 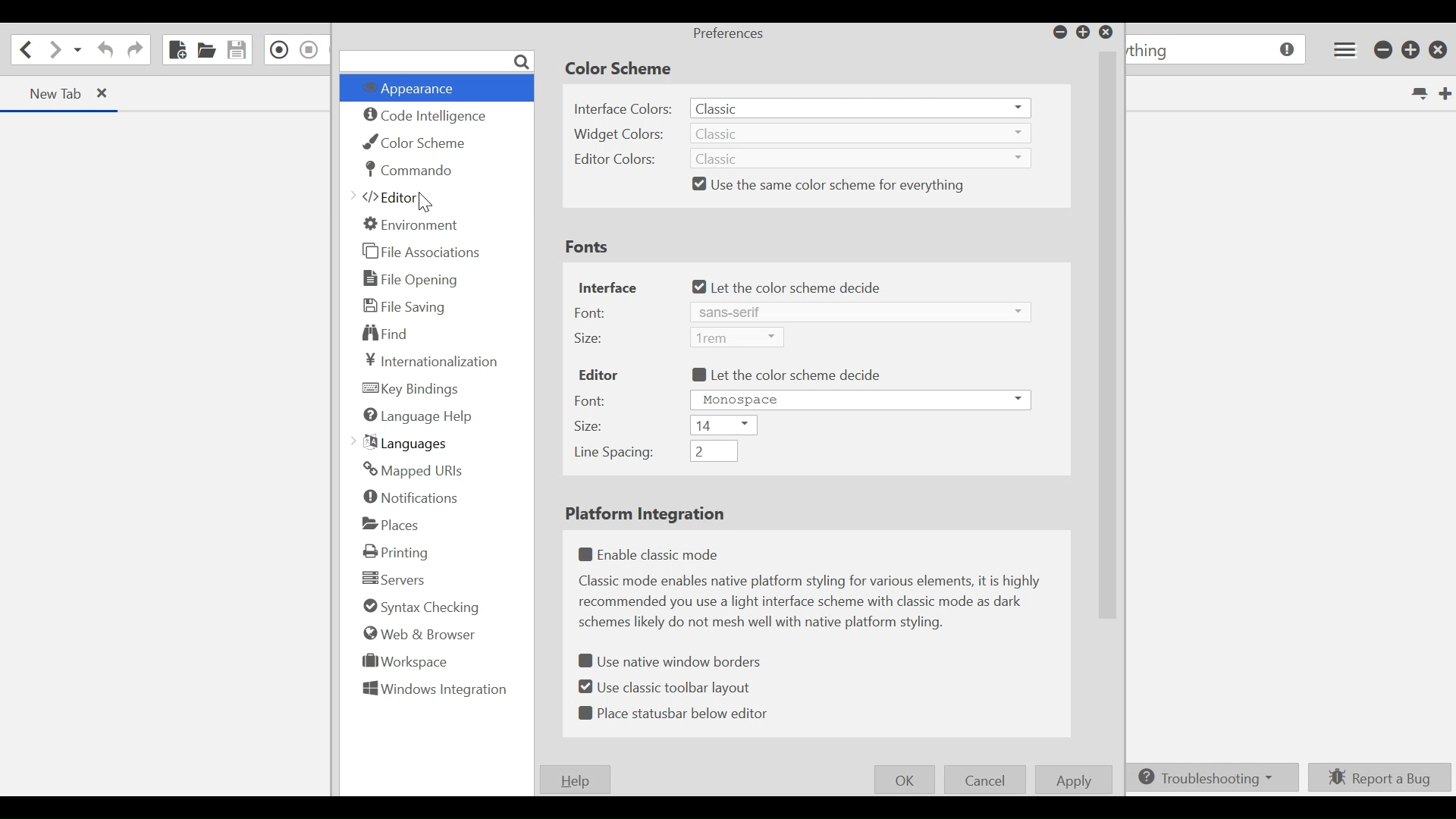 I want to click on Recent location, so click(x=77, y=50).